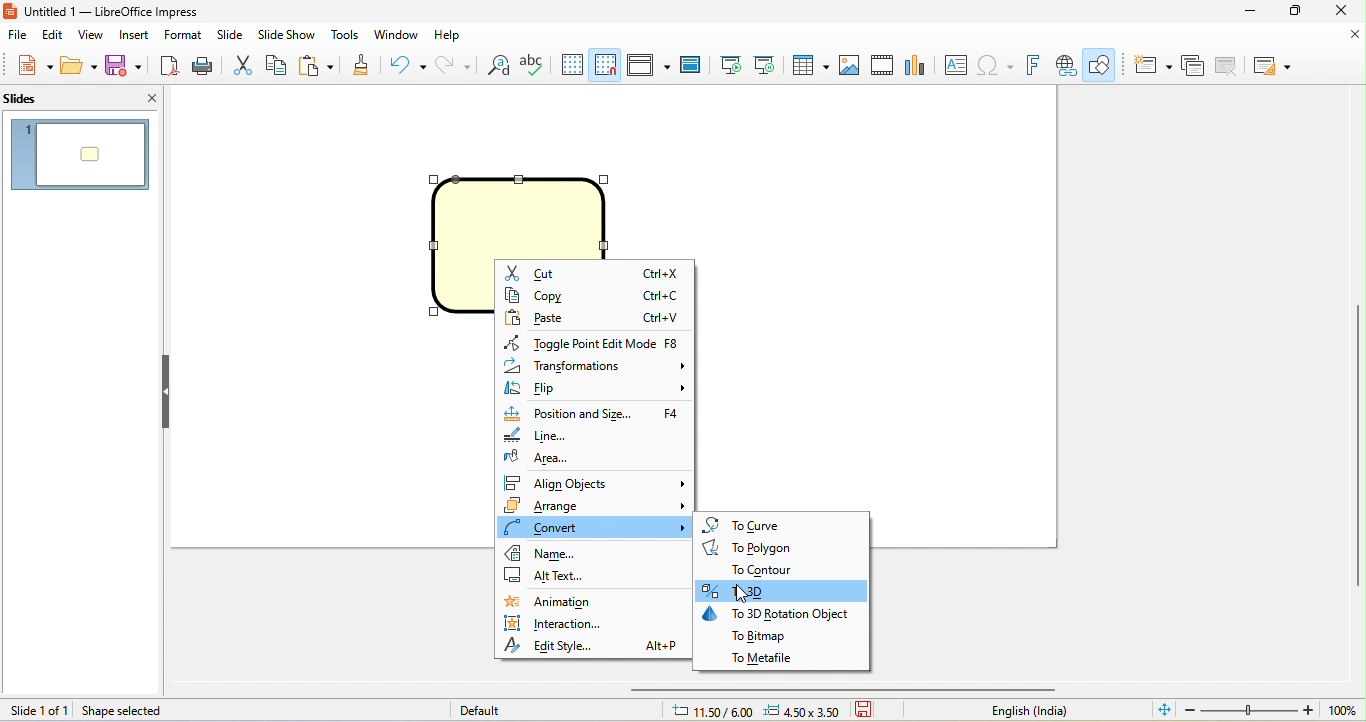 Image resolution: width=1366 pixels, height=722 pixels. What do you see at coordinates (1340, 37) in the screenshot?
I see `close` at bounding box center [1340, 37].